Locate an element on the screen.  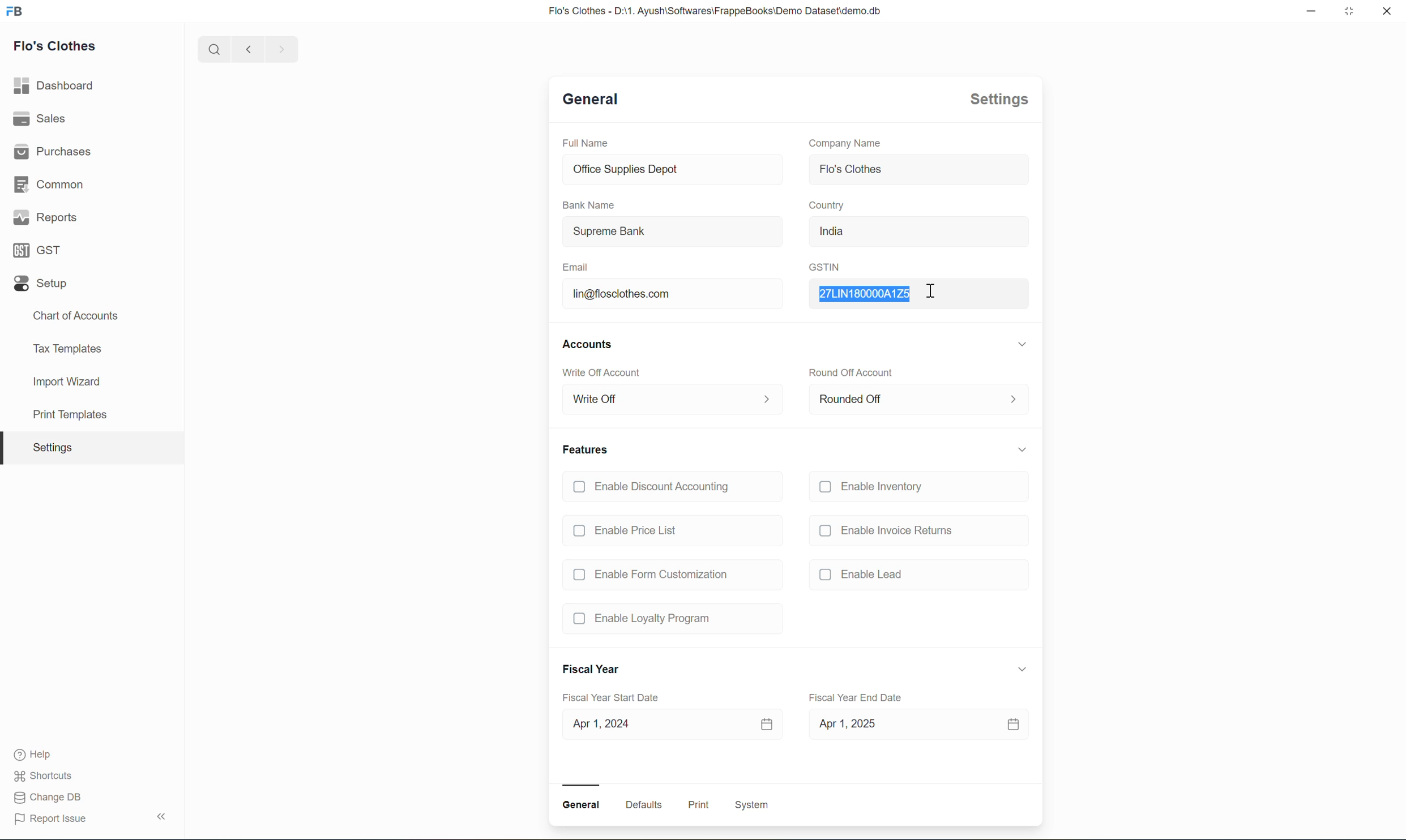
Expand/collapse is located at coordinates (1023, 670).